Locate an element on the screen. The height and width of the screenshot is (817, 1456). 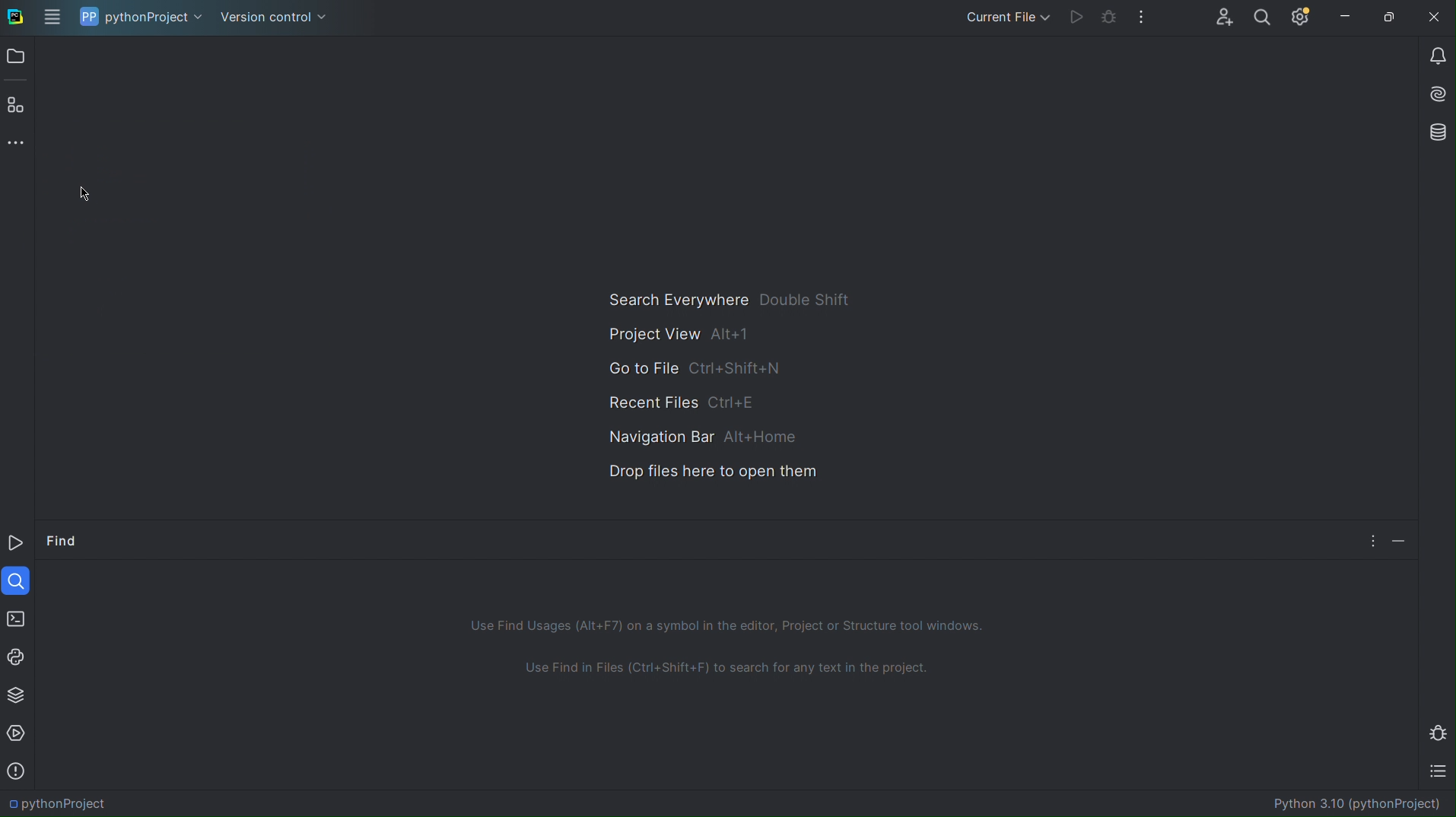
Account is located at coordinates (1223, 17).